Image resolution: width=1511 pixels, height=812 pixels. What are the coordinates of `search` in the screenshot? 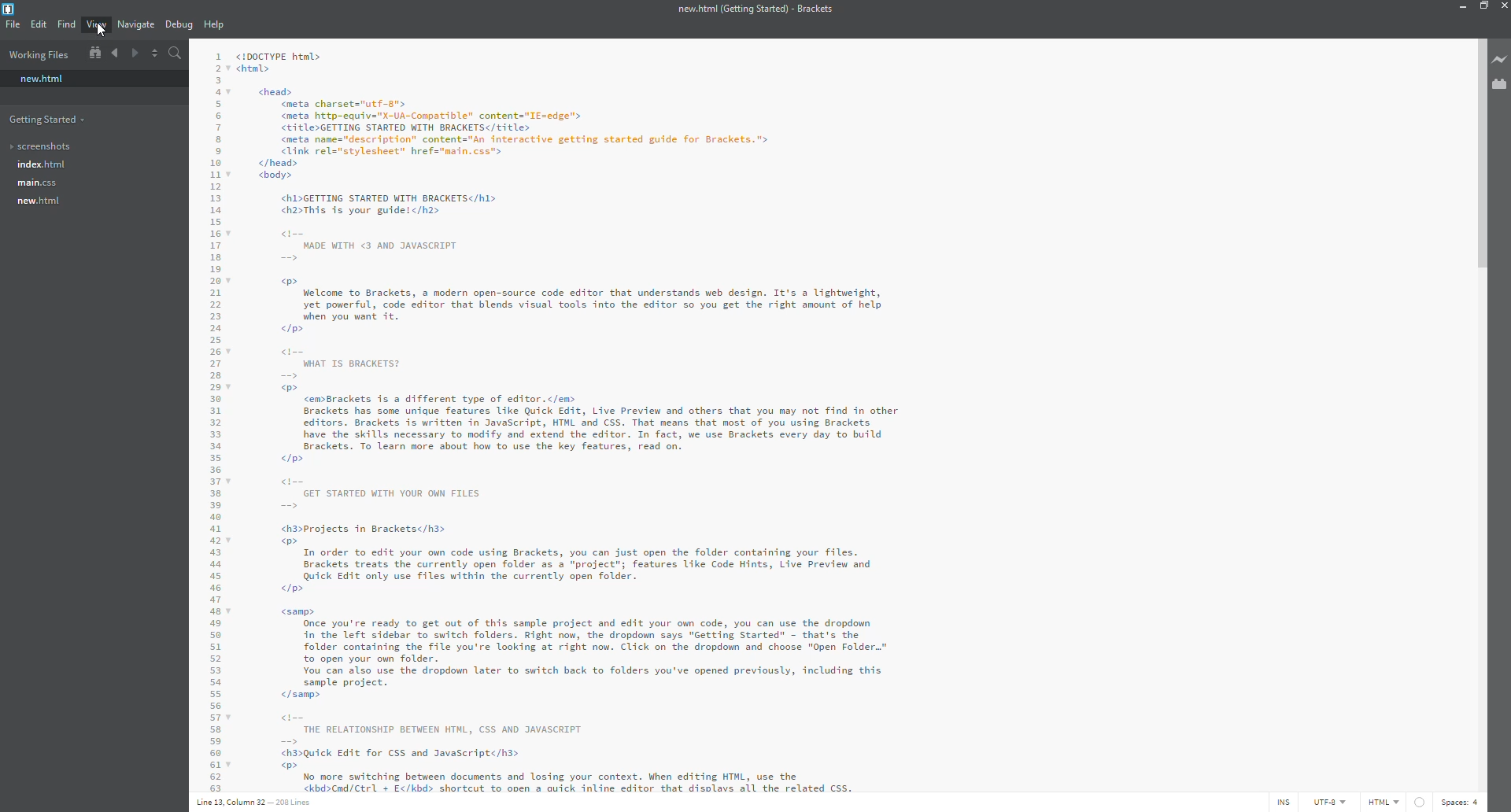 It's located at (173, 54).